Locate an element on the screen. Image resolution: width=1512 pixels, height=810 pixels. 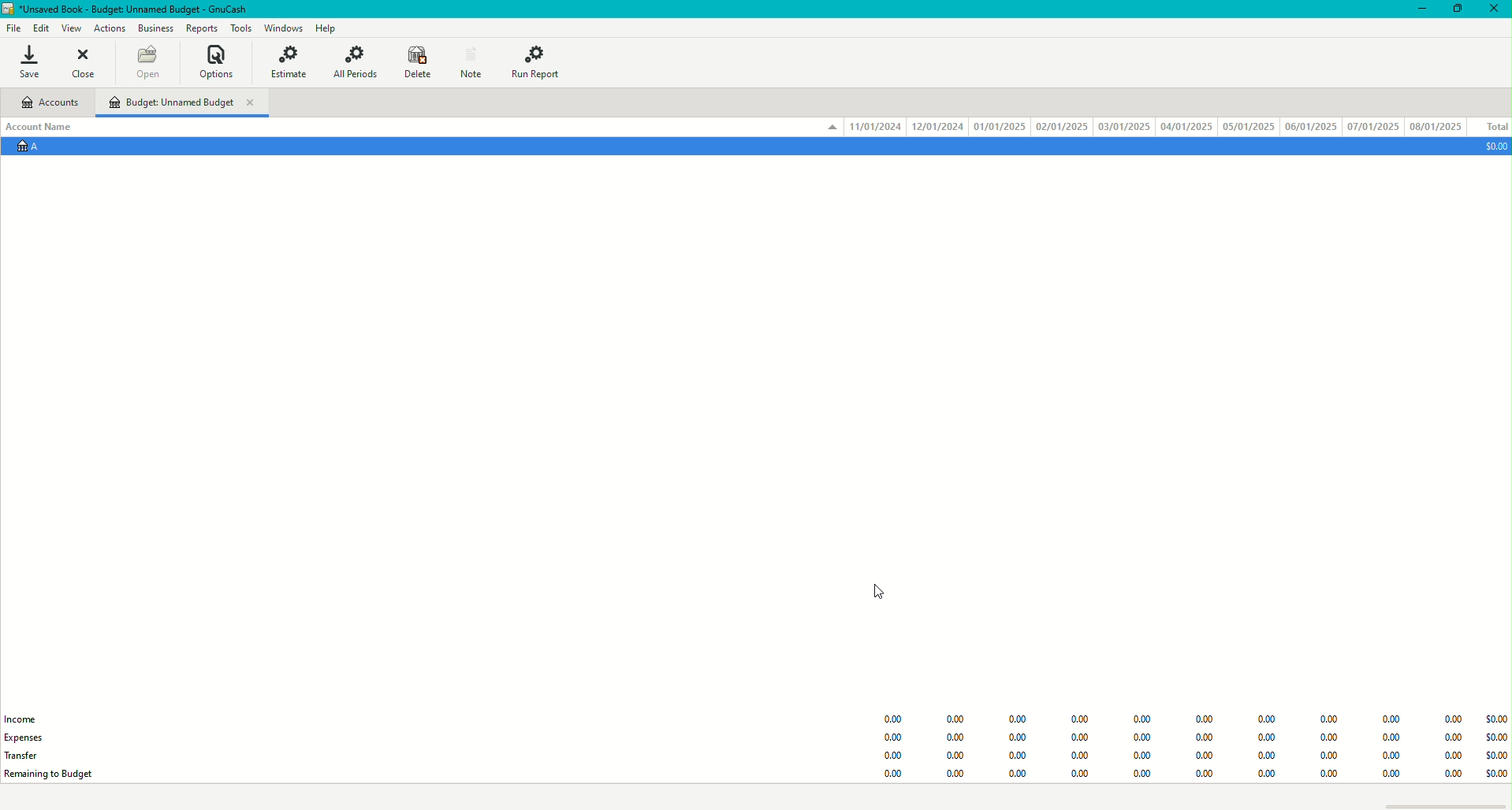
Estimate is located at coordinates (290, 61).